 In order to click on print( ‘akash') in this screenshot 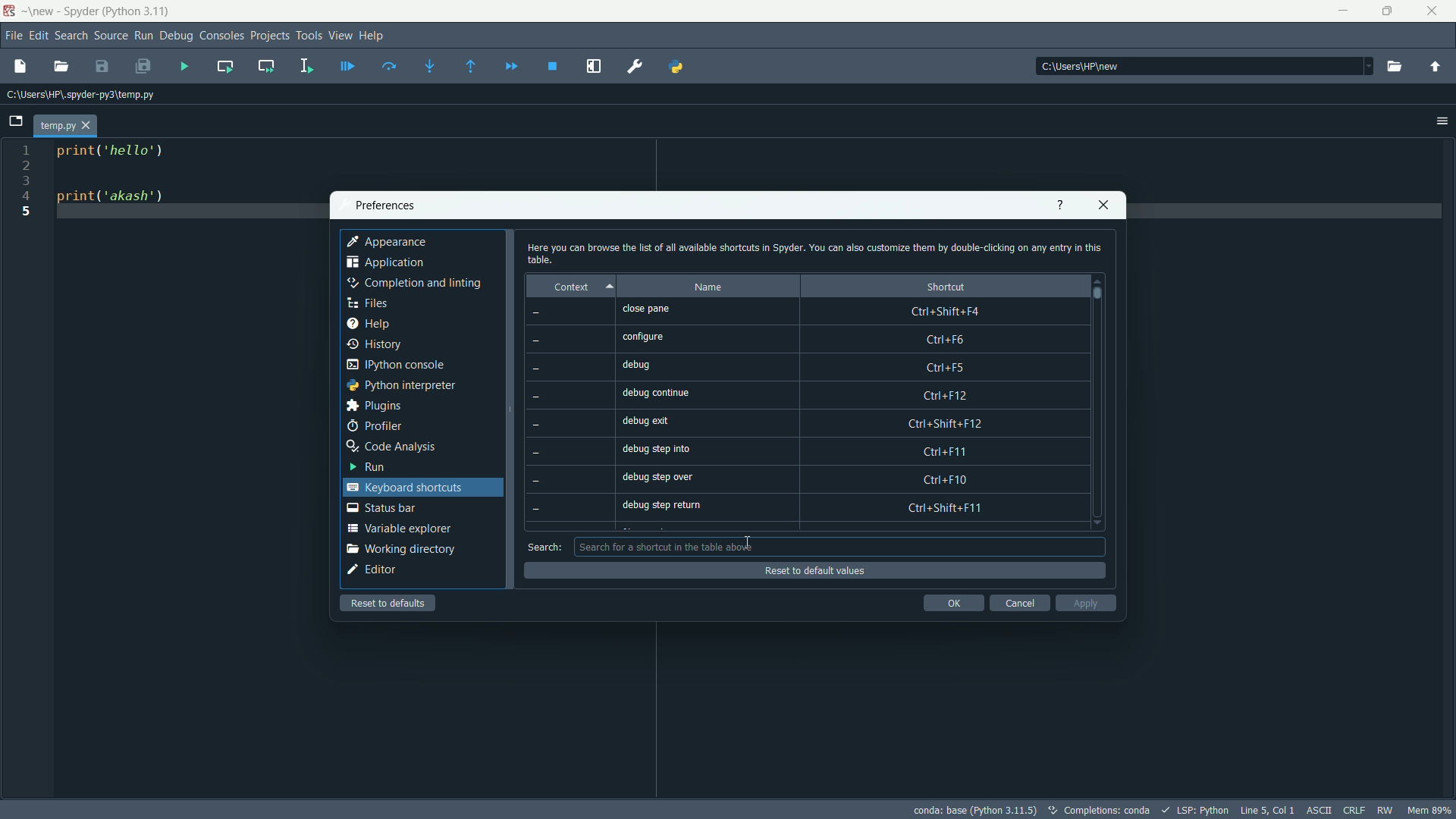, I will do `click(115, 199)`.